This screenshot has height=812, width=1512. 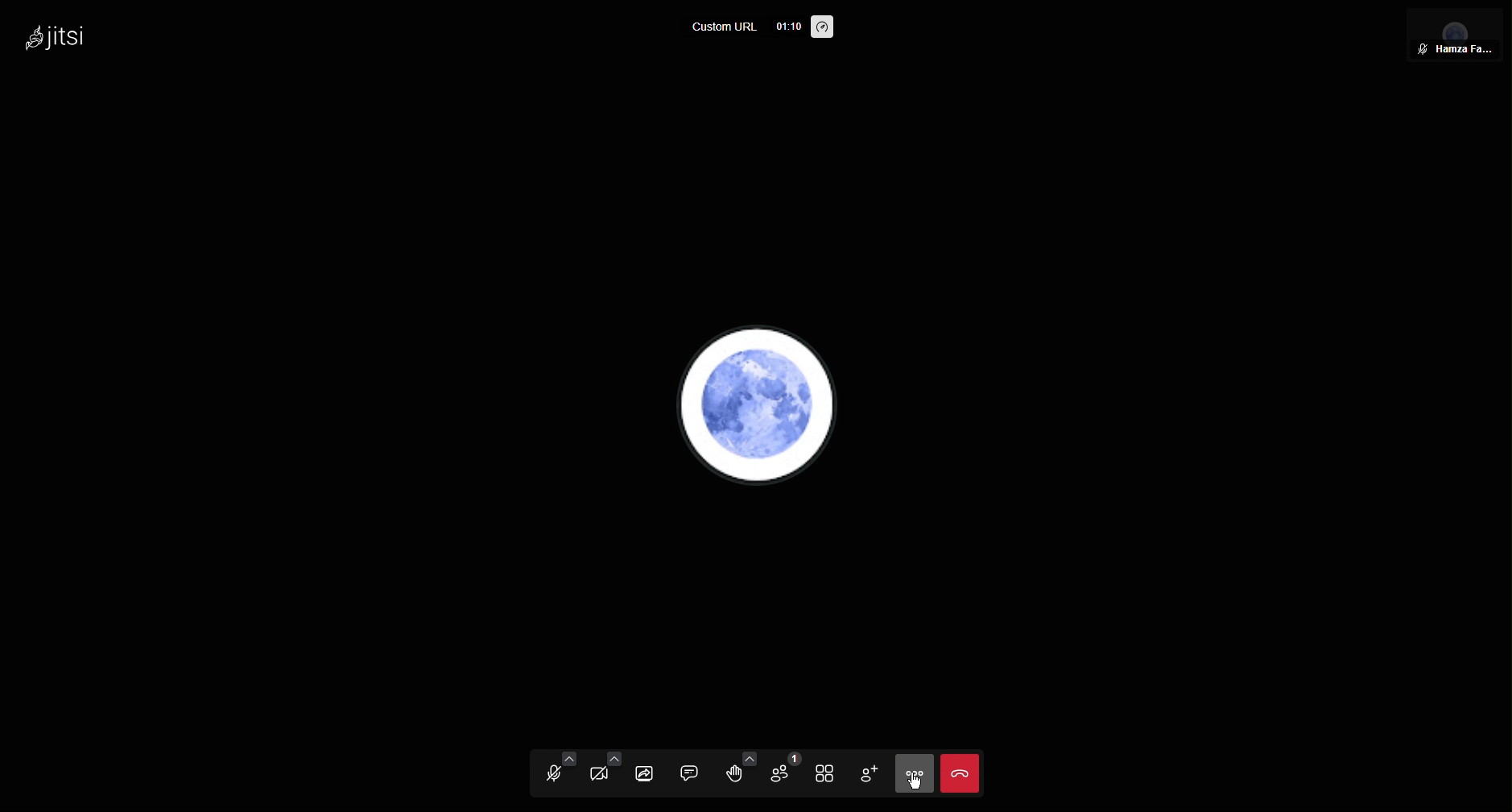 What do you see at coordinates (725, 28) in the screenshot?
I see `Custom URL` at bounding box center [725, 28].